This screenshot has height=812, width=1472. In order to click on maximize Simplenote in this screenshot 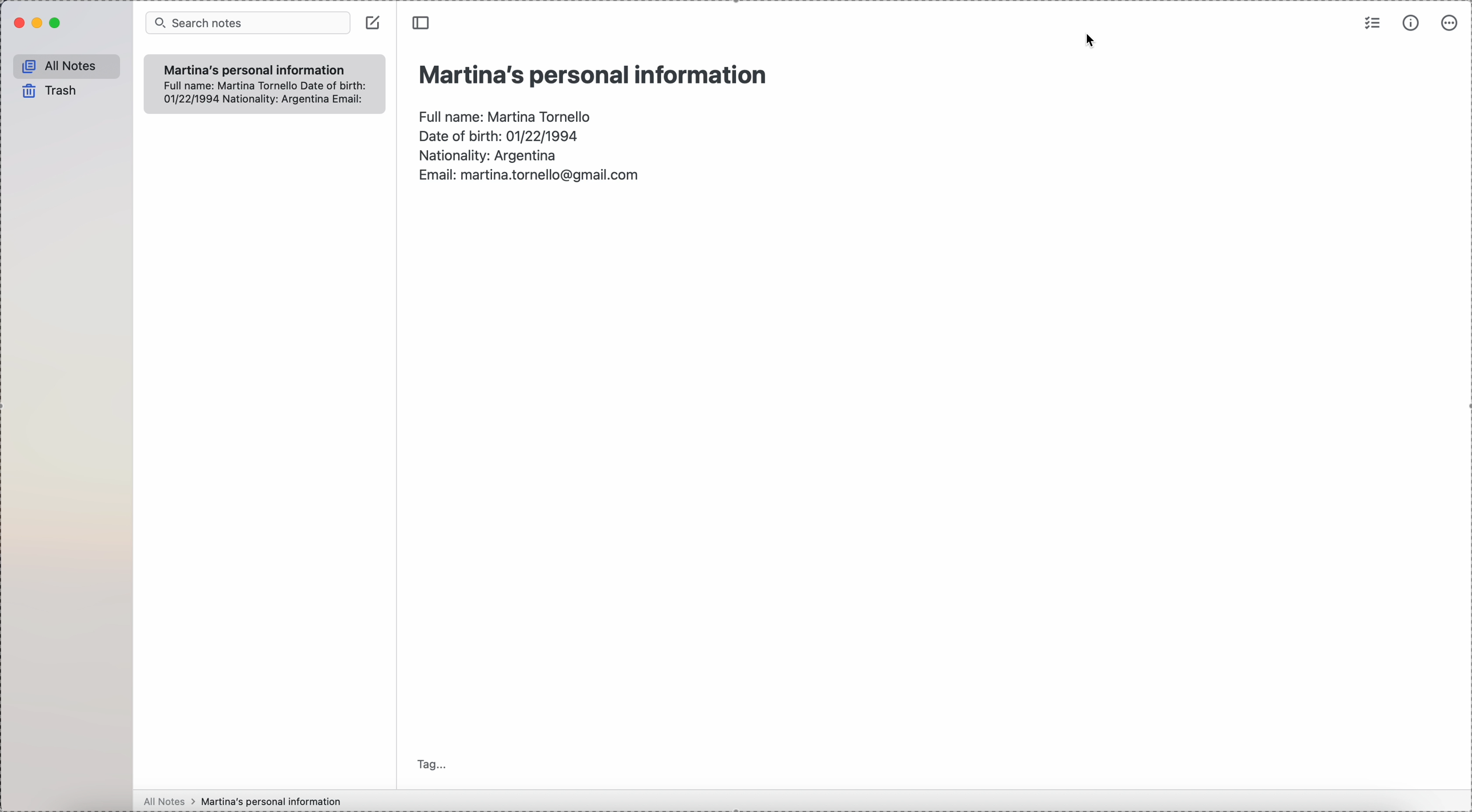, I will do `click(56, 23)`.